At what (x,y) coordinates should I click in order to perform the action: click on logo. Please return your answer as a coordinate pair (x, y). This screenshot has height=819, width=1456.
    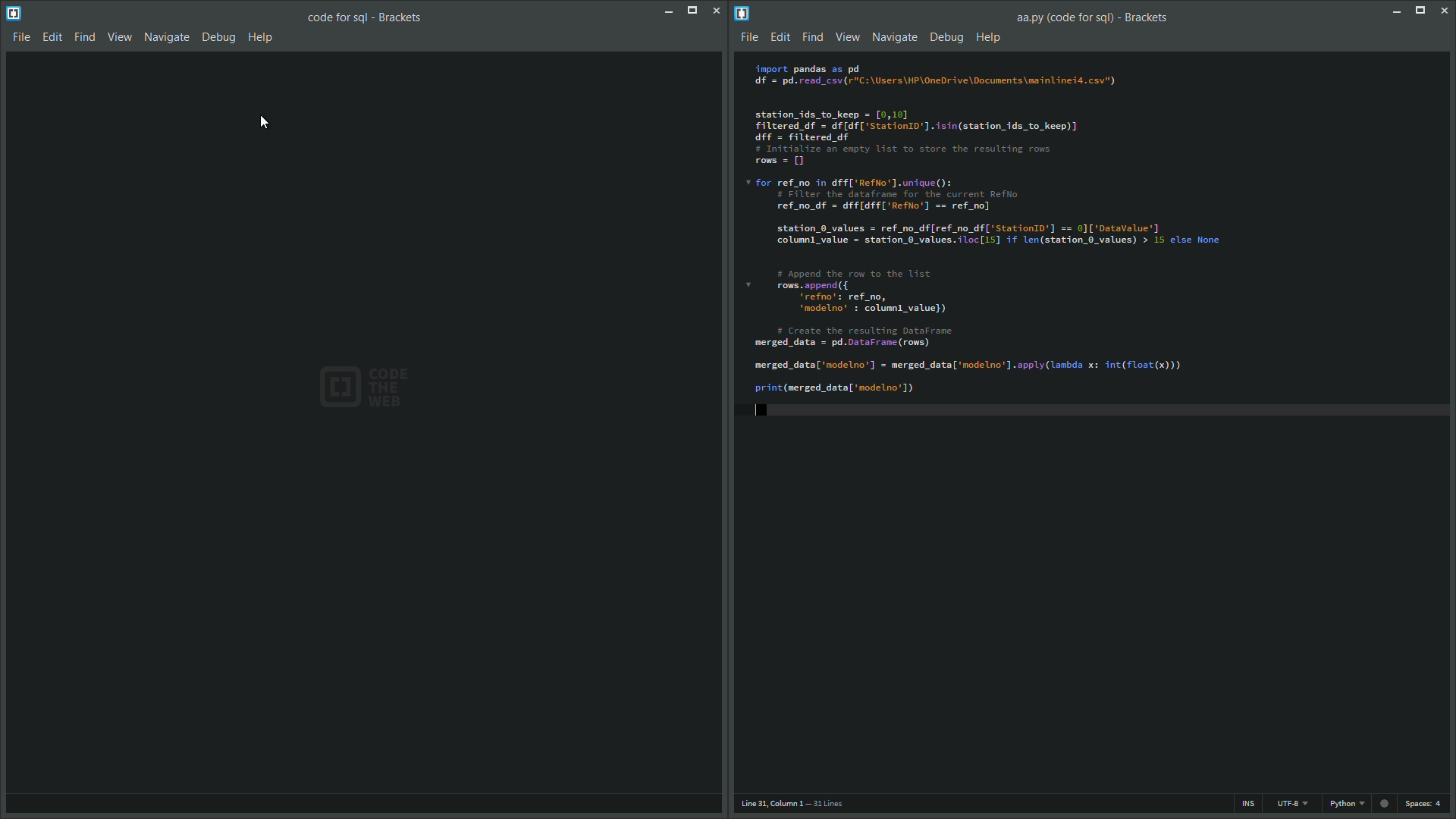
    Looking at the image, I should click on (14, 14).